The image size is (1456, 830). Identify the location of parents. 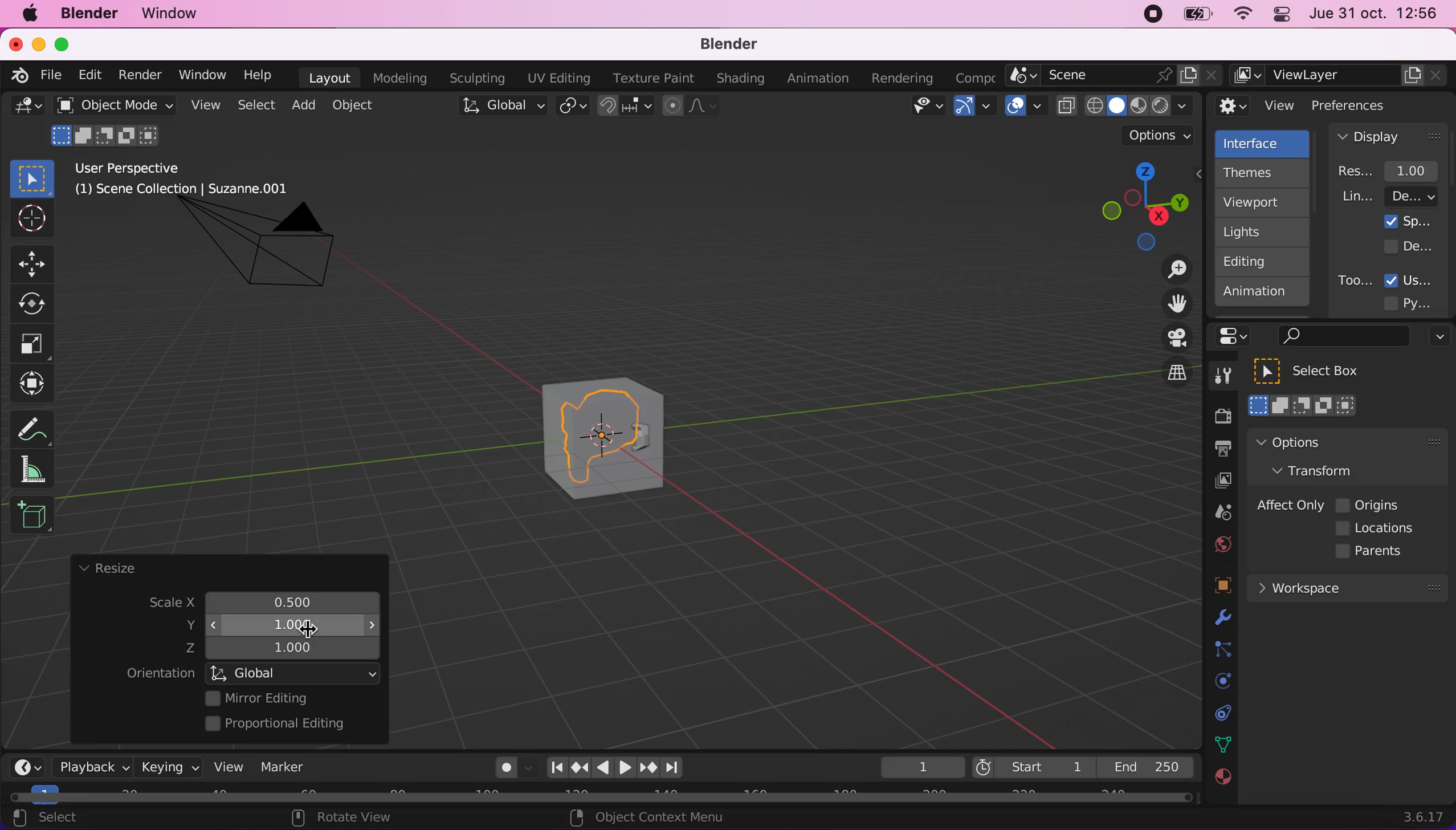
(1375, 552).